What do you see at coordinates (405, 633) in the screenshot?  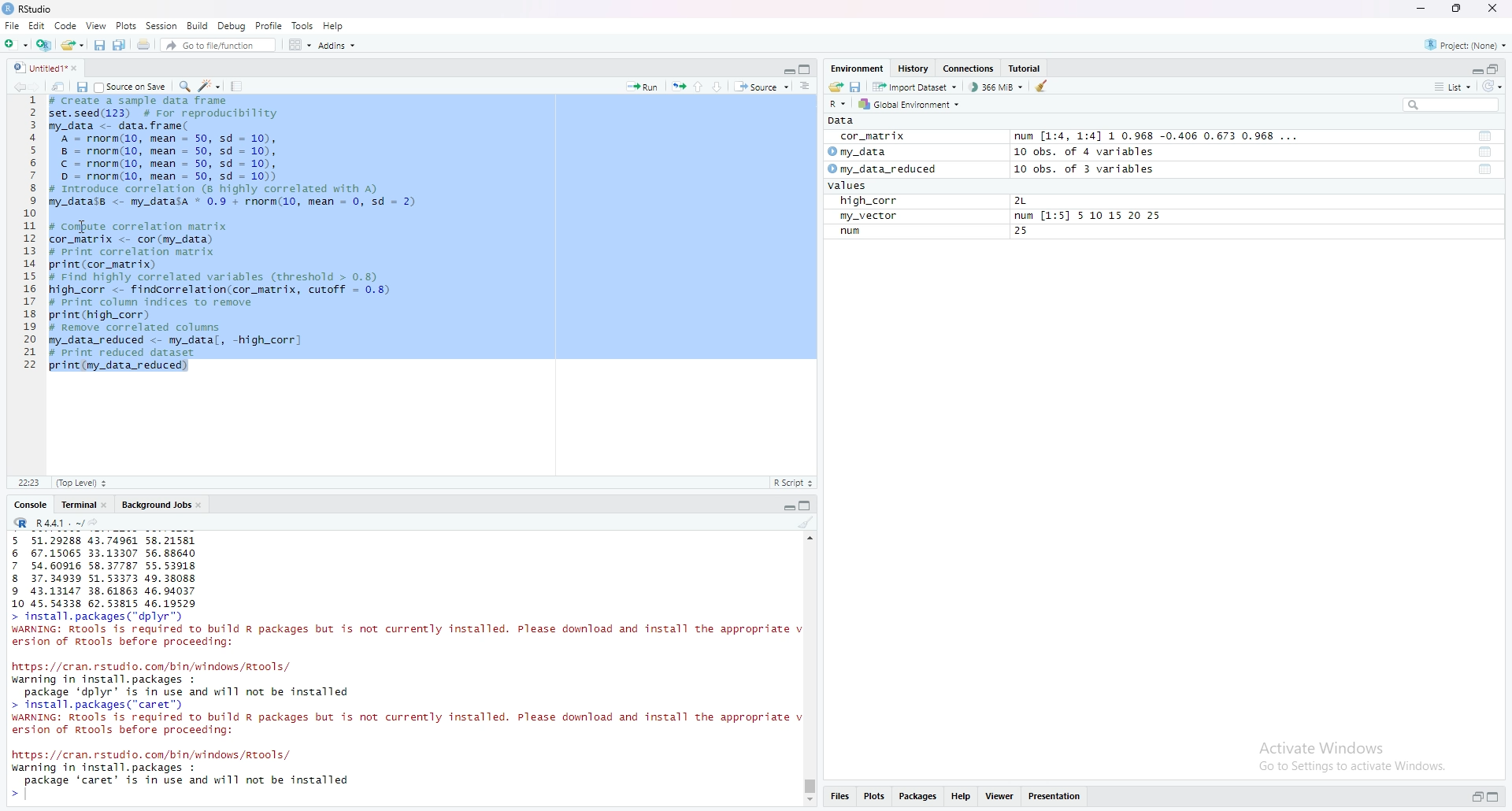 I see `> install.packages( dplyr)
WARNING: Rtools is required to build R packages but is not currently installed. Please download and install the appropriate v
ersion of Rtools before proceeding:` at bounding box center [405, 633].